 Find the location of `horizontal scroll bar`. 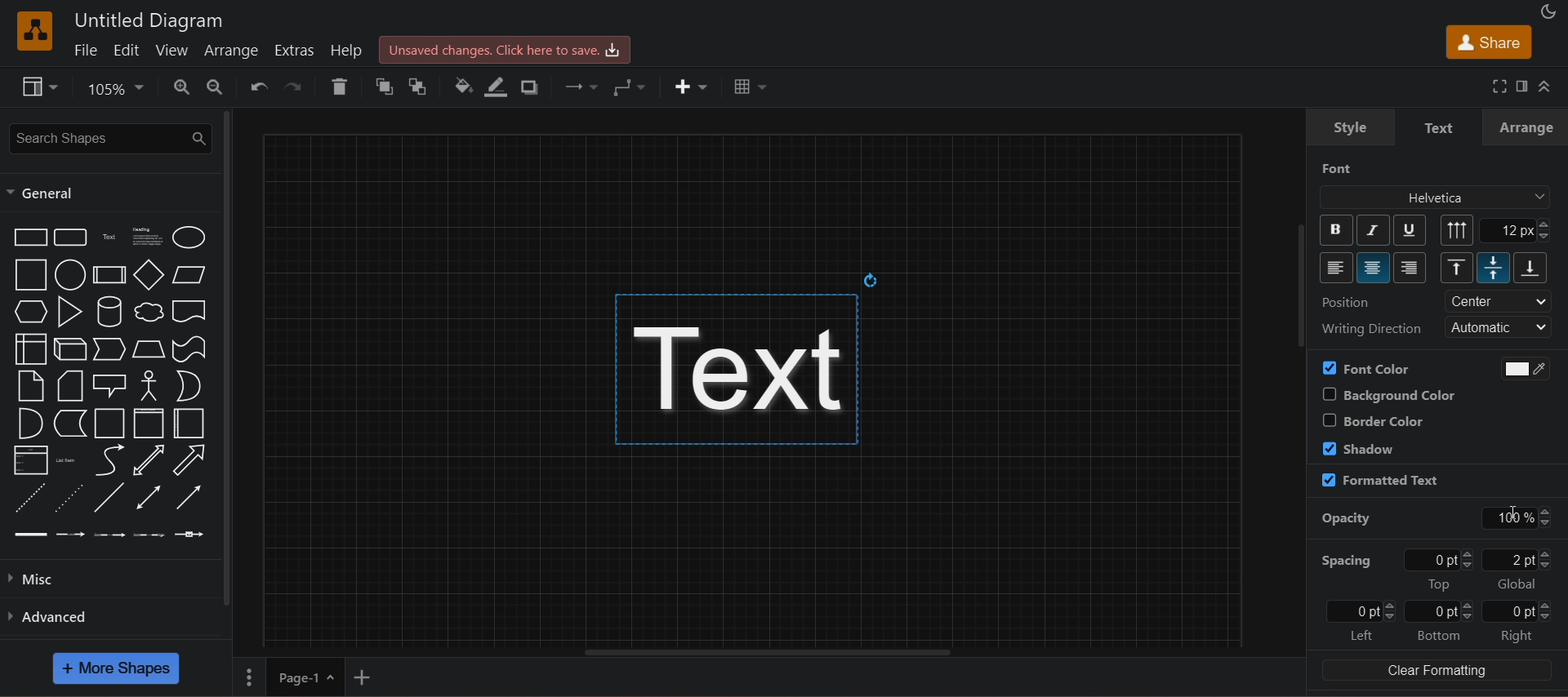

horizontal scroll bar is located at coordinates (752, 652).